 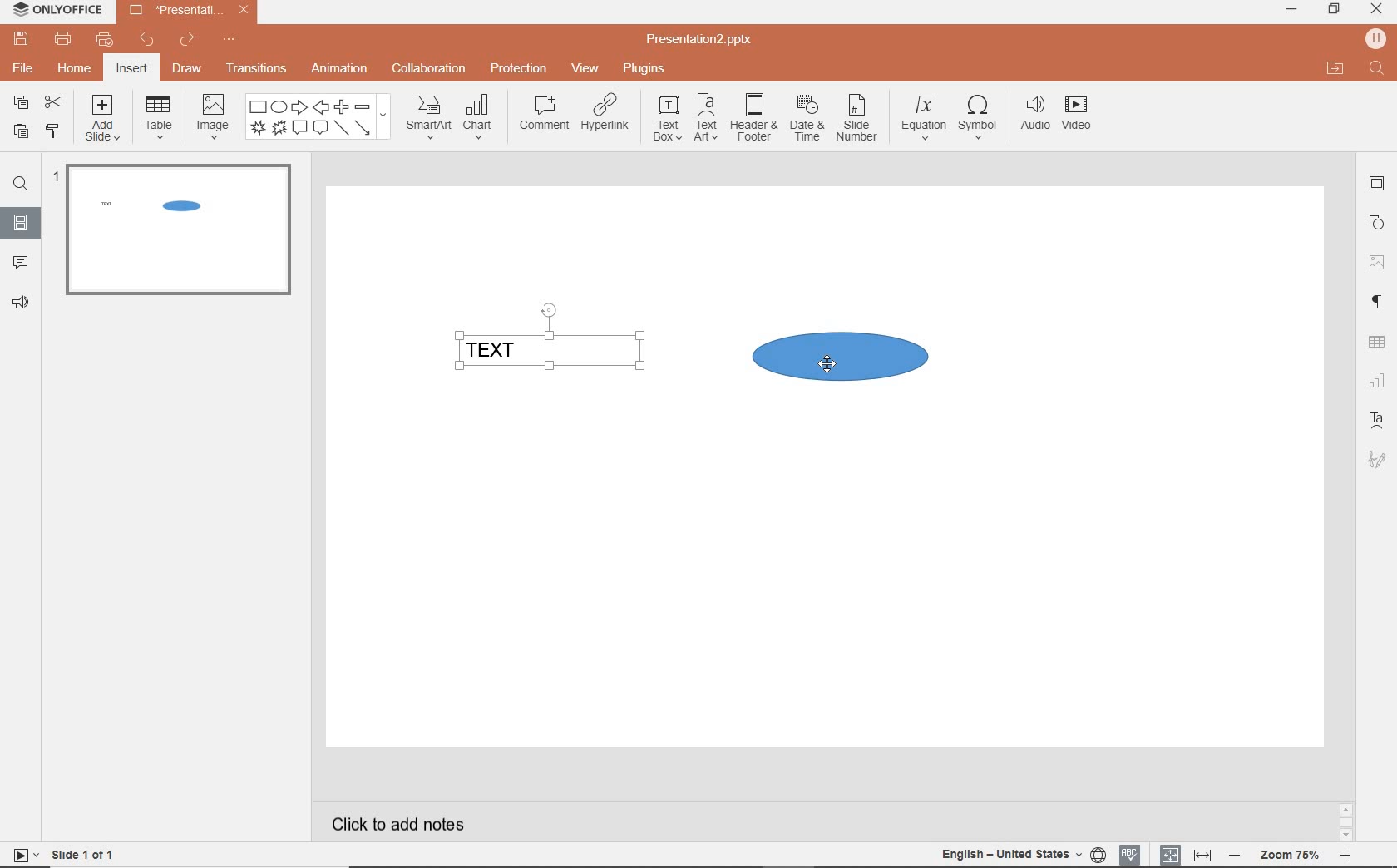 What do you see at coordinates (102, 40) in the screenshot?
I see `customize quick print` at bounding box center [102, 40].